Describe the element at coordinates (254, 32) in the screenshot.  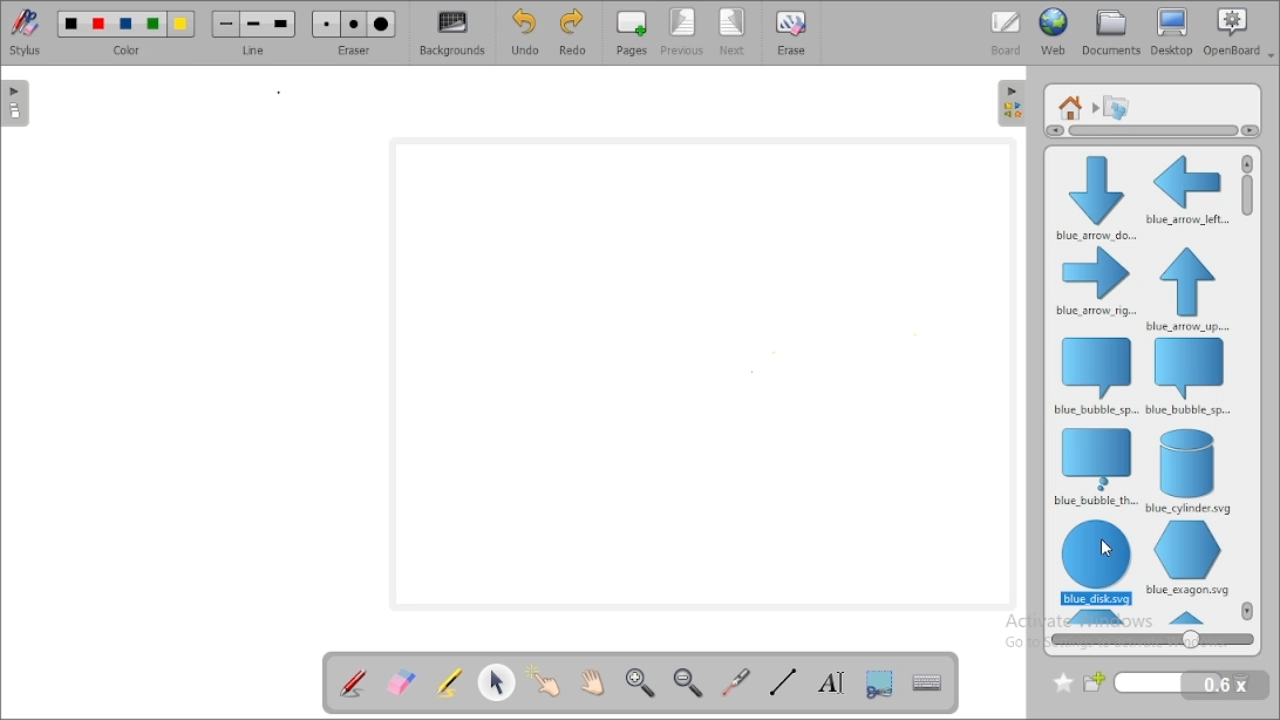
I see `line` at that location.